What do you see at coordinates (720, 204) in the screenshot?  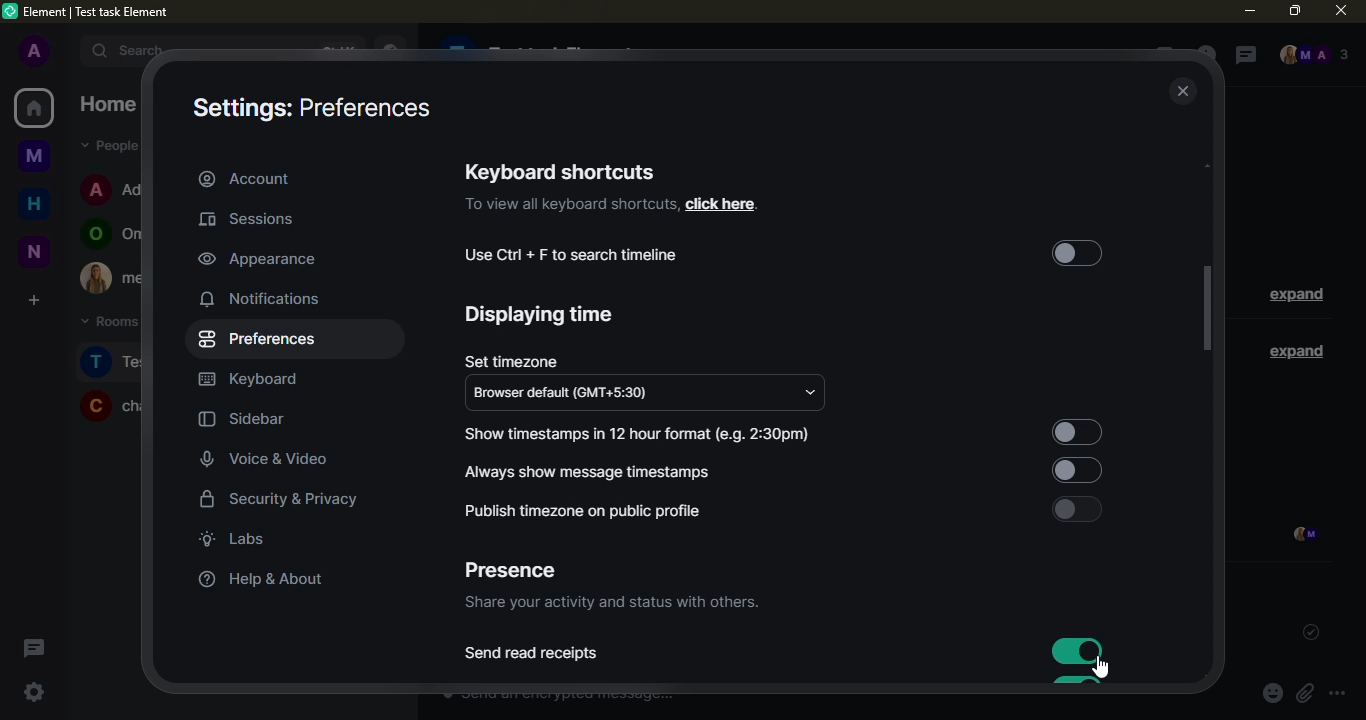 I see `click here` at bounding box center [720, 204].